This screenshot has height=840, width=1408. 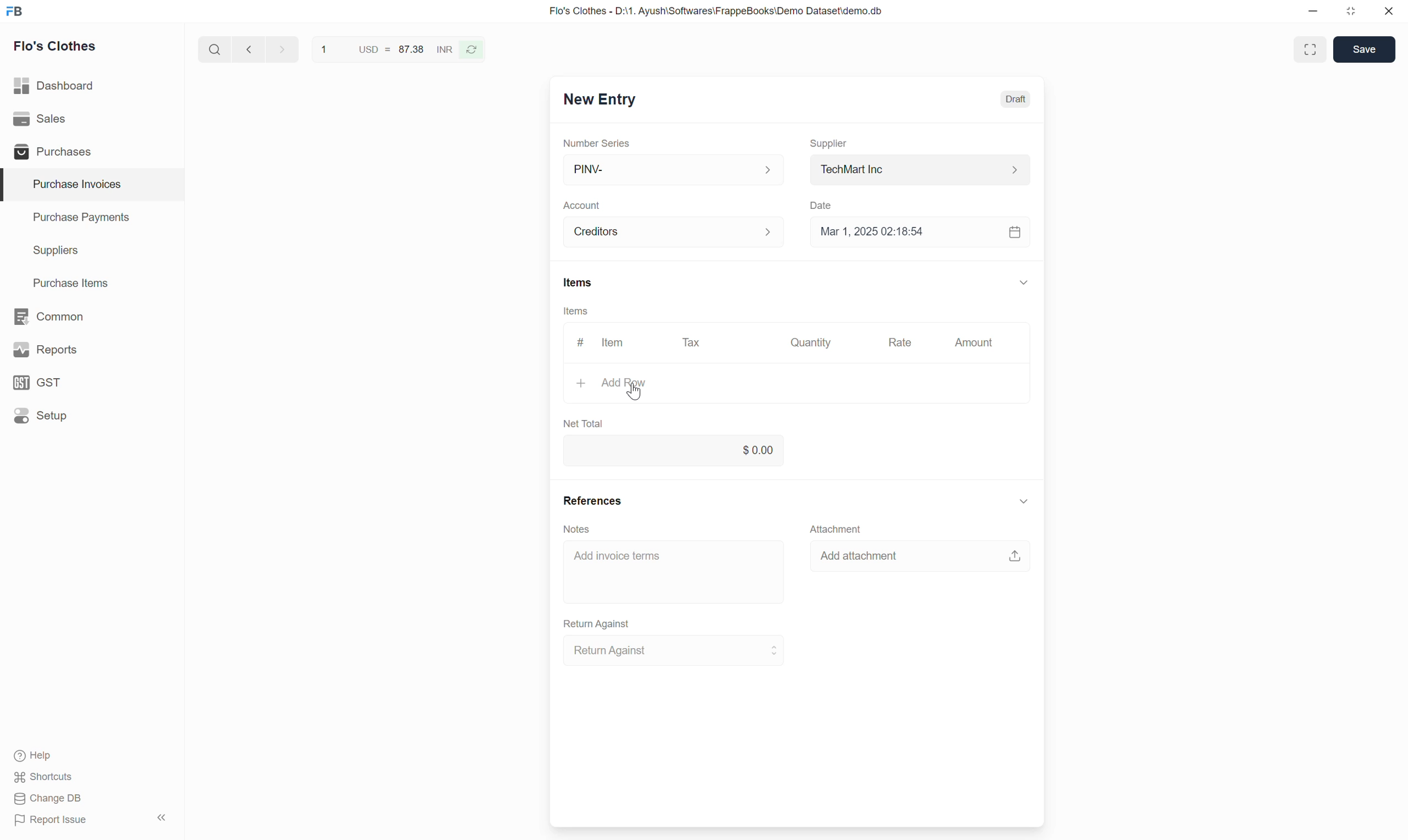 I want to click on Date, so click(x=822, y=206).